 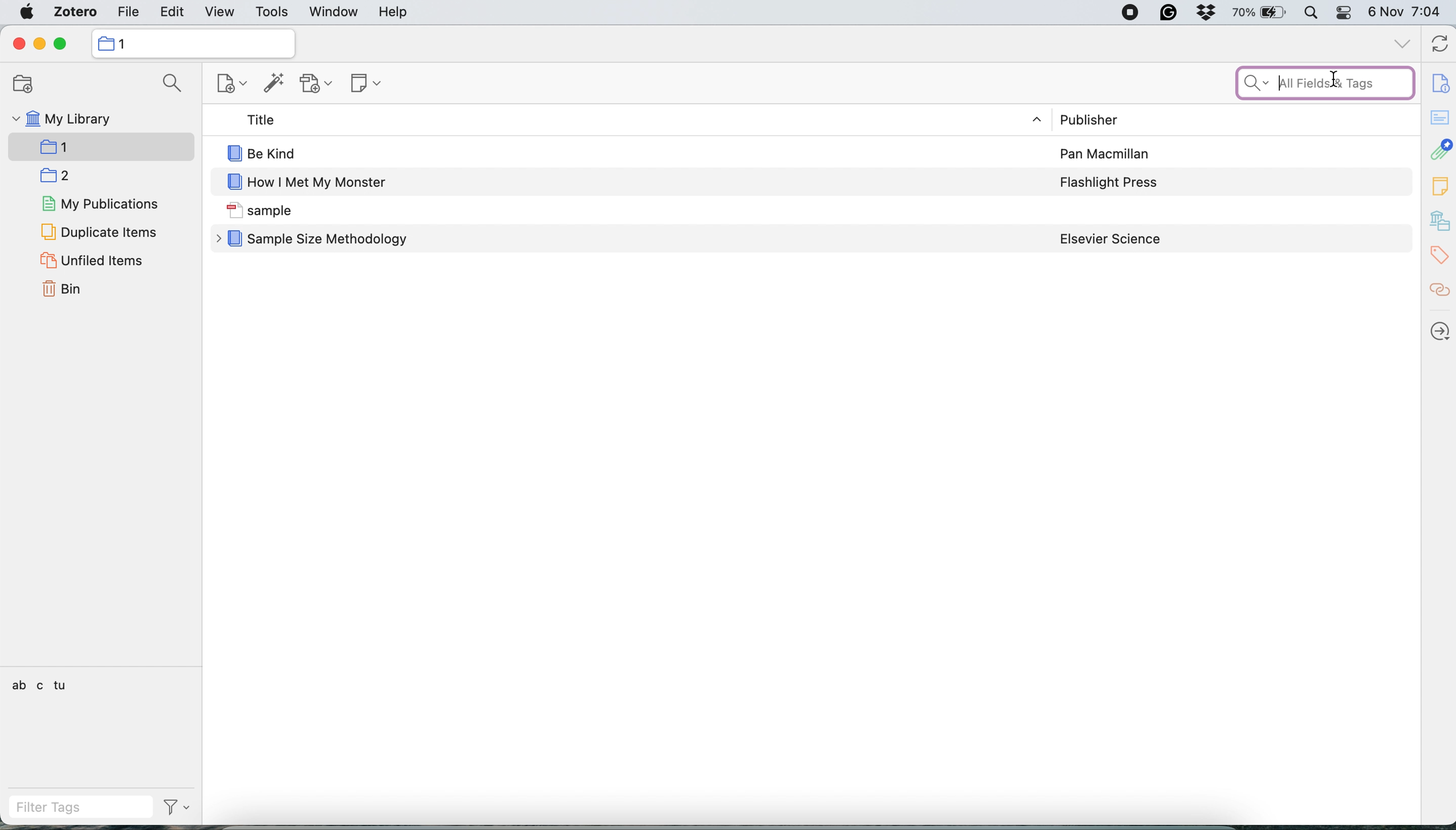 What do you see at coordinates (101, 147) in the screenshot?
I see `selected collection 1` at bounding box center [101, 147].